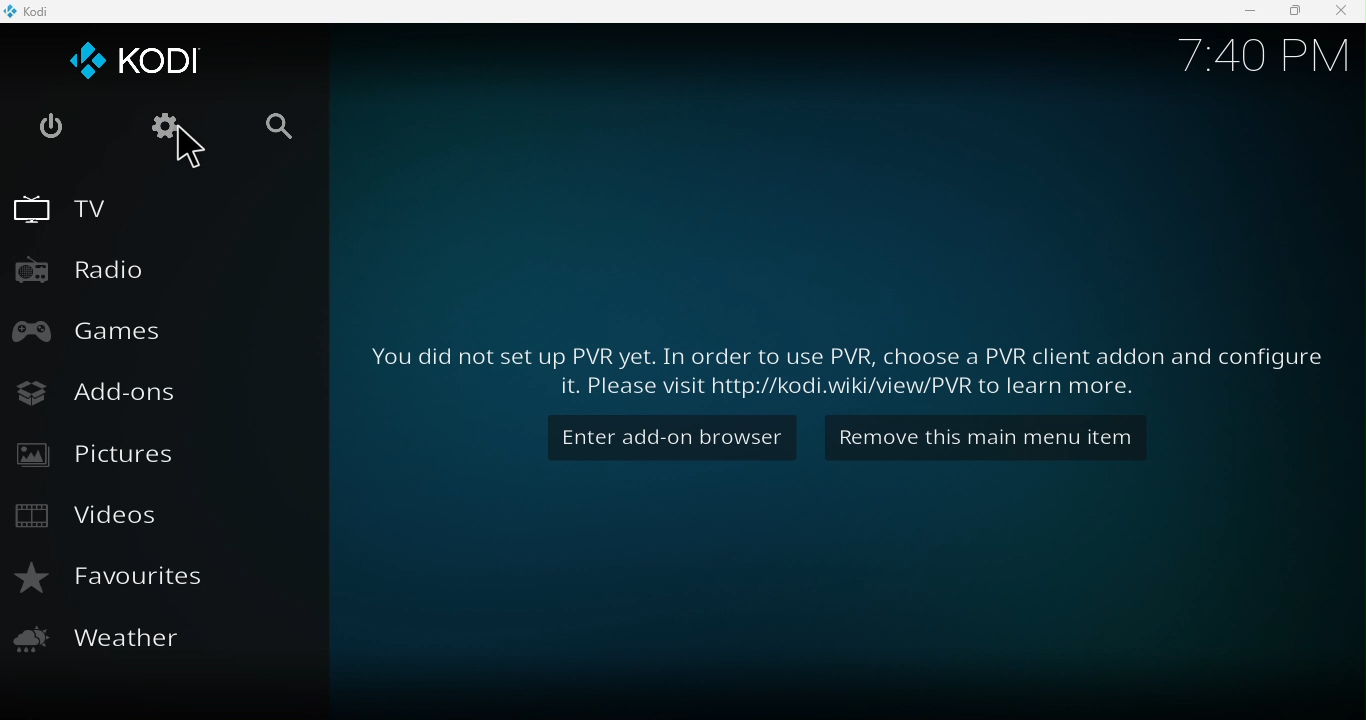 The image size is (1366, 720). I want to click on Radio, so click(97, 275).